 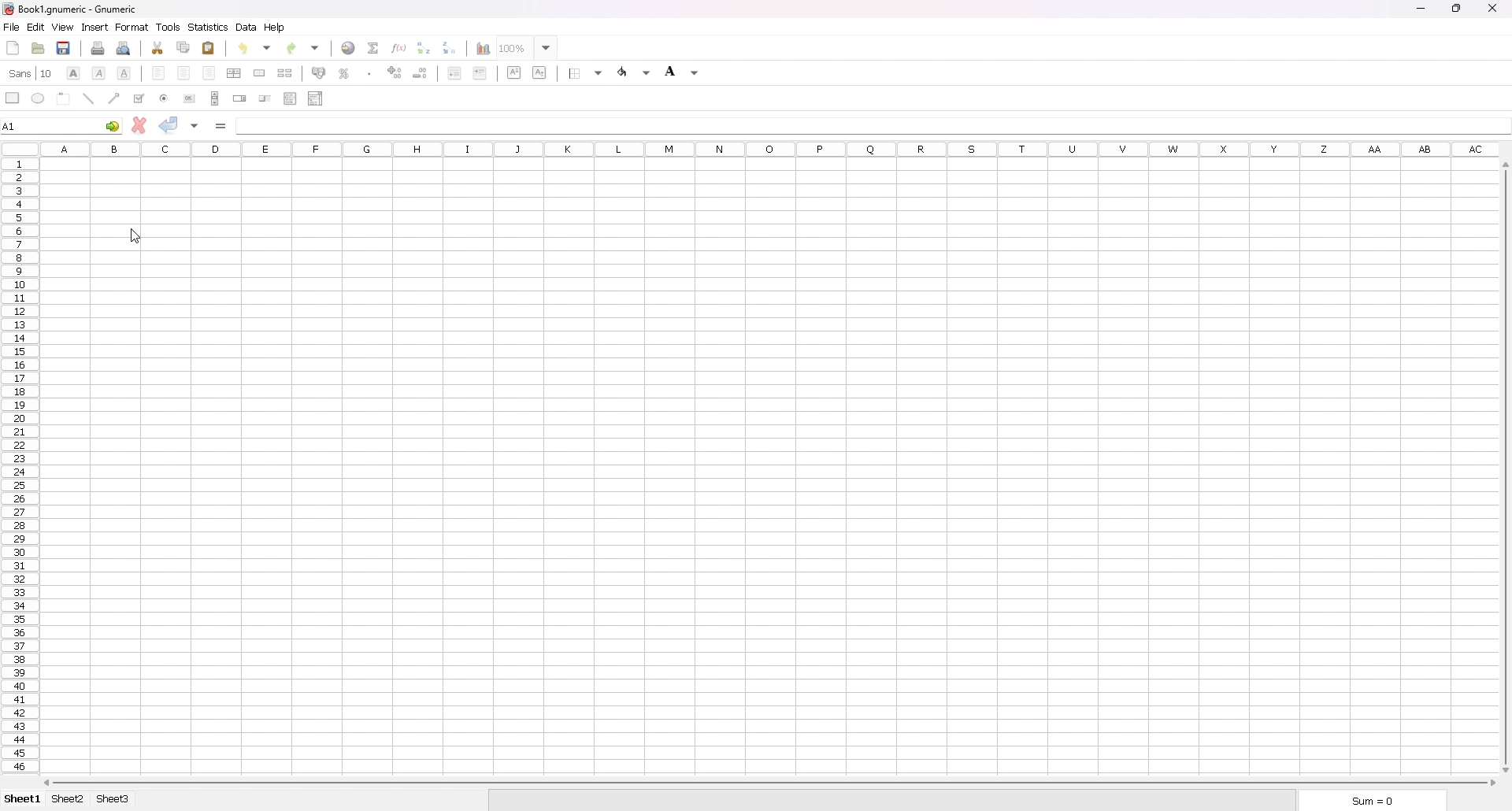 What do you see at coordinates (480, 73) in the screenshot?
I see `increase indent` at bounding box center [480, 73].